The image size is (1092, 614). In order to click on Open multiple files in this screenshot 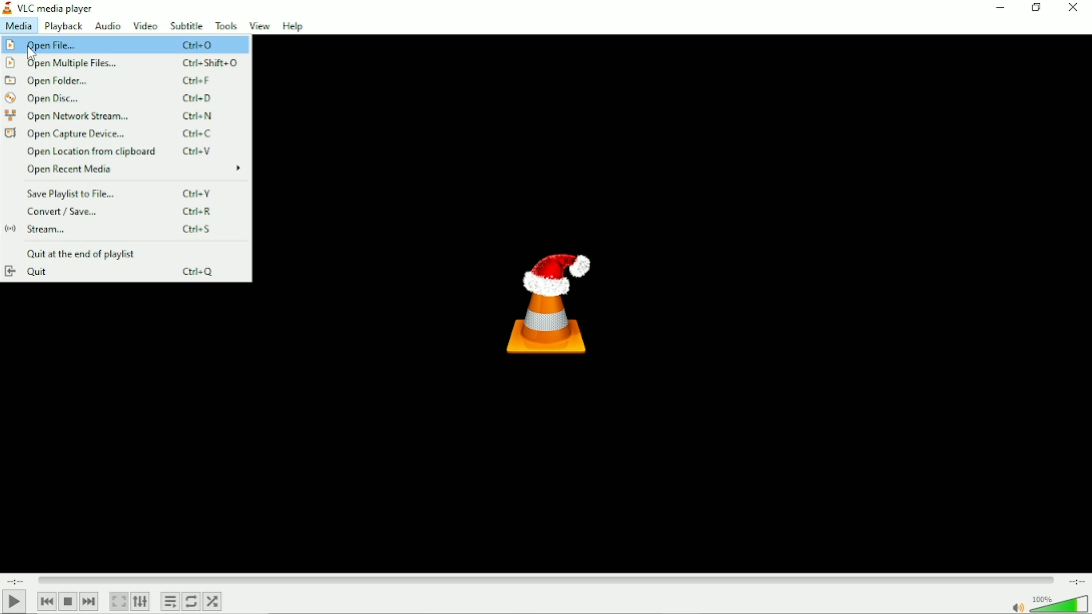, I will do `click(126, 63)`.